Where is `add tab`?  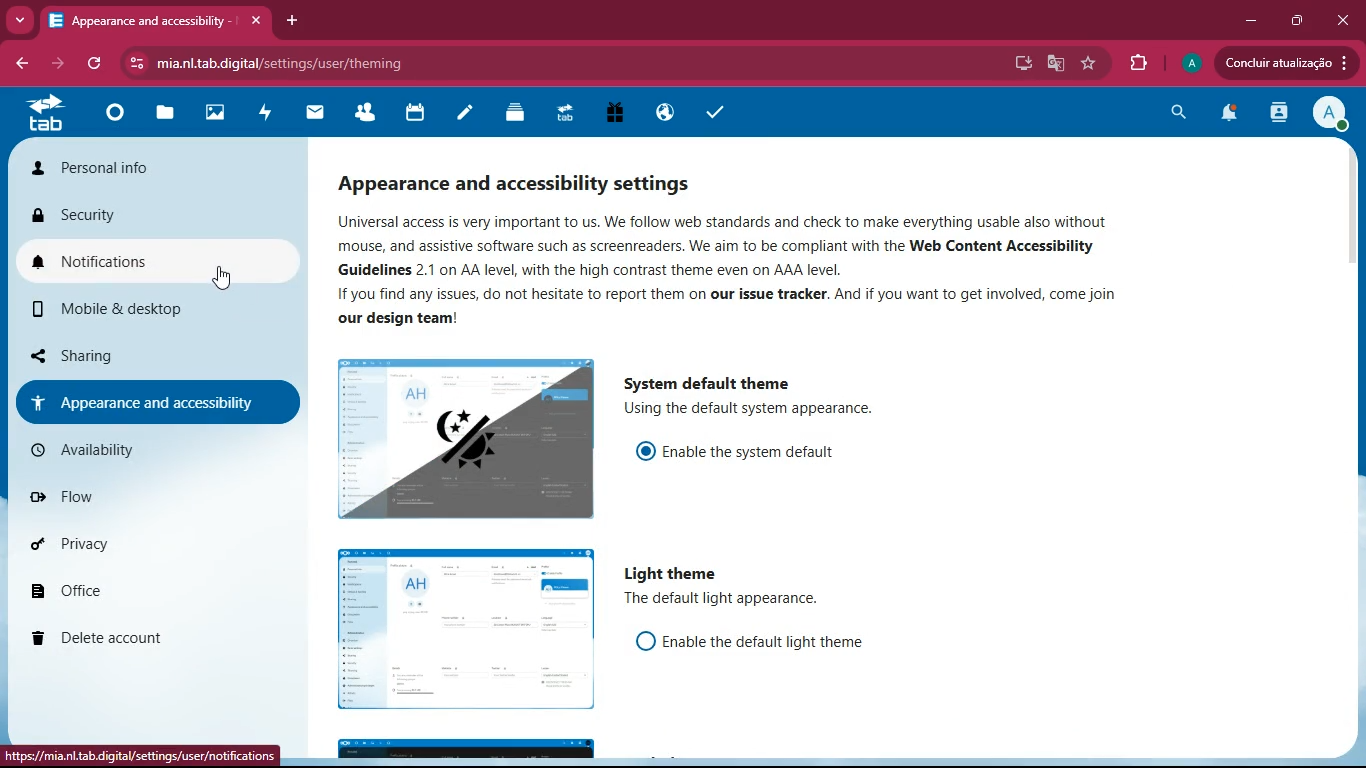 add tab is located at coordinates (292, 19).